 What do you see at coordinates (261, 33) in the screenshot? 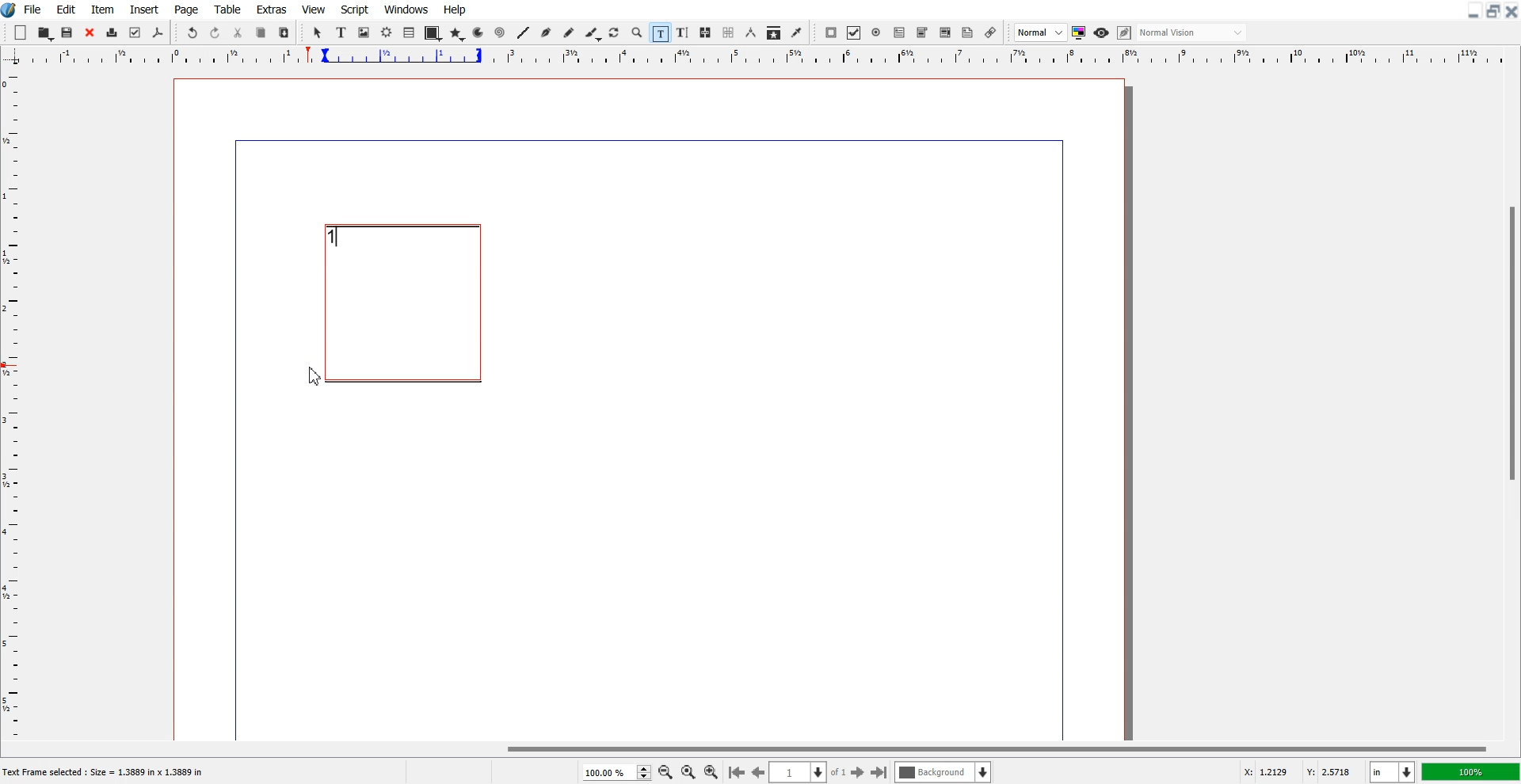
I see `Copy ` at bounding box center [261, 33].